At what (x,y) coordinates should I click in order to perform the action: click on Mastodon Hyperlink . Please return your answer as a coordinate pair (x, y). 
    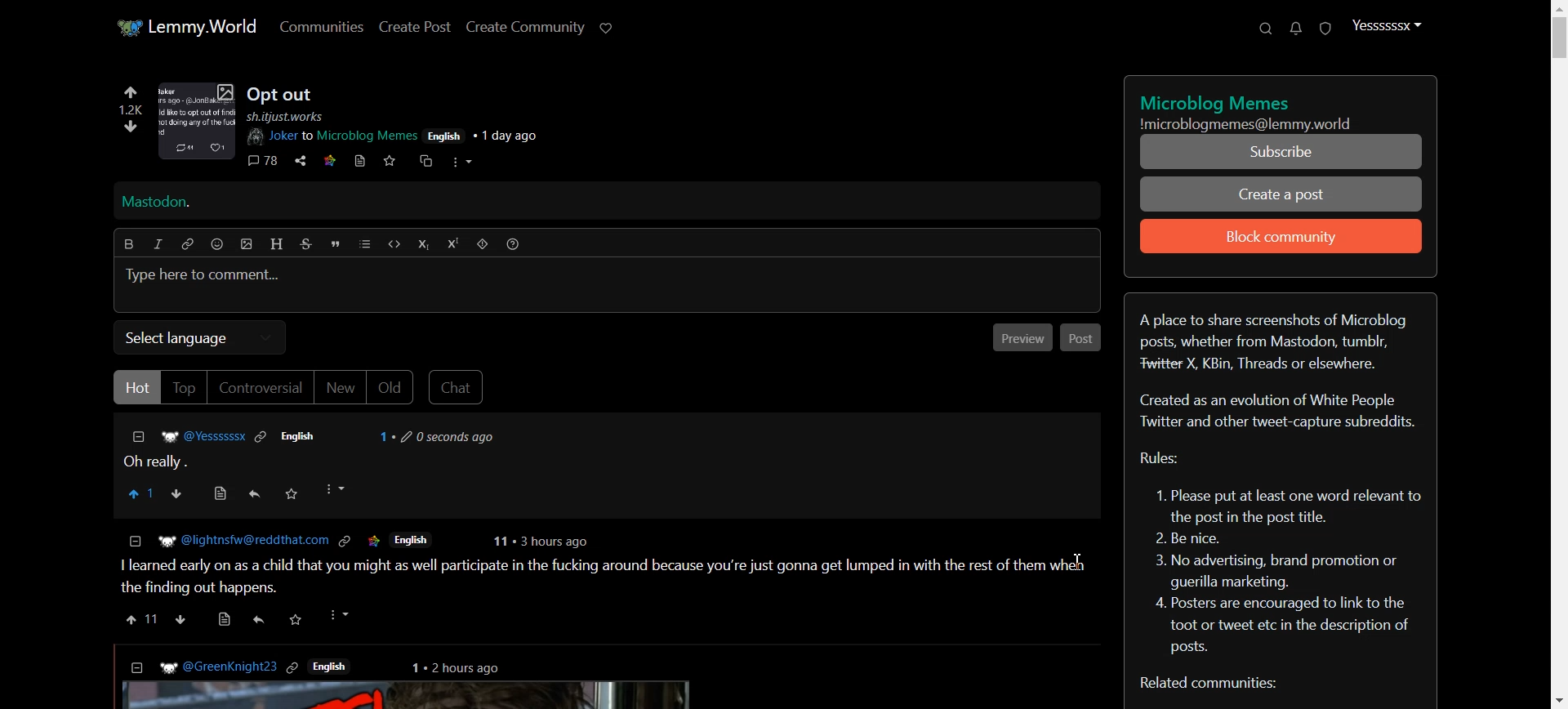
    Looking at the image, I should click on (609, 200).